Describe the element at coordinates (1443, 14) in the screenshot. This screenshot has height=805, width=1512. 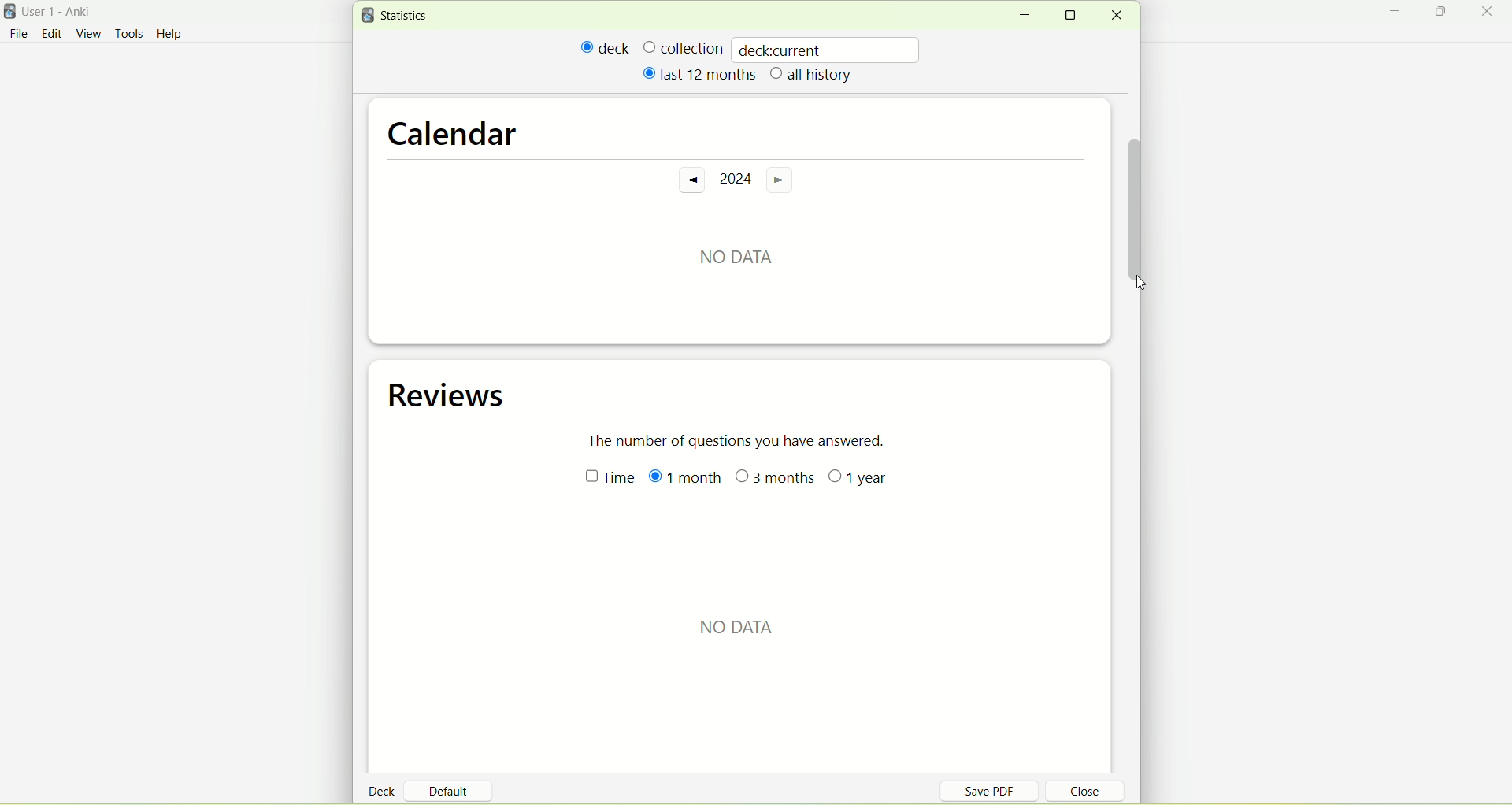
I see `maximize` at that location.